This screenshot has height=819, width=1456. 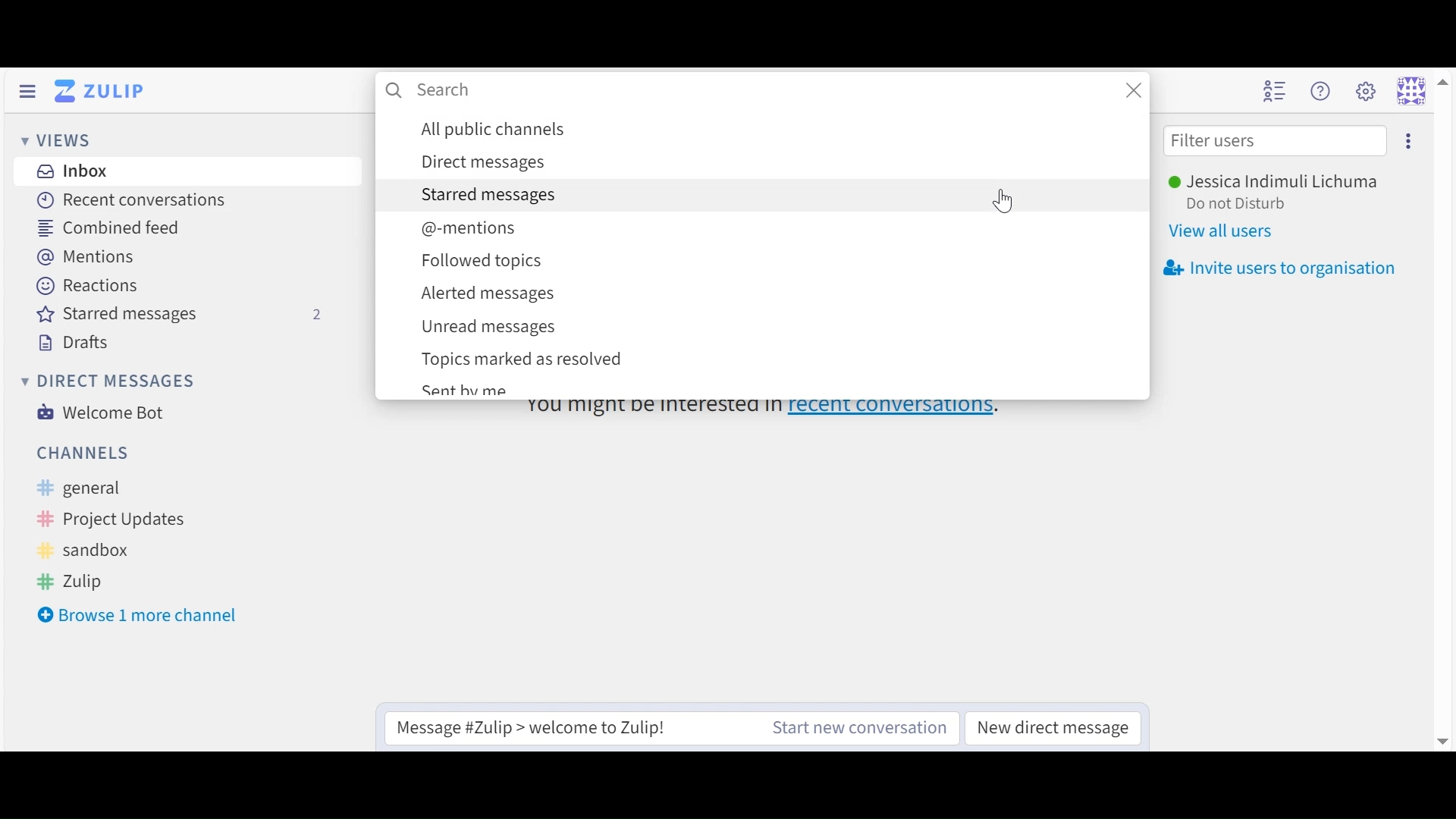 I want to click on Welcome Bot, so click(x=101, y=413).